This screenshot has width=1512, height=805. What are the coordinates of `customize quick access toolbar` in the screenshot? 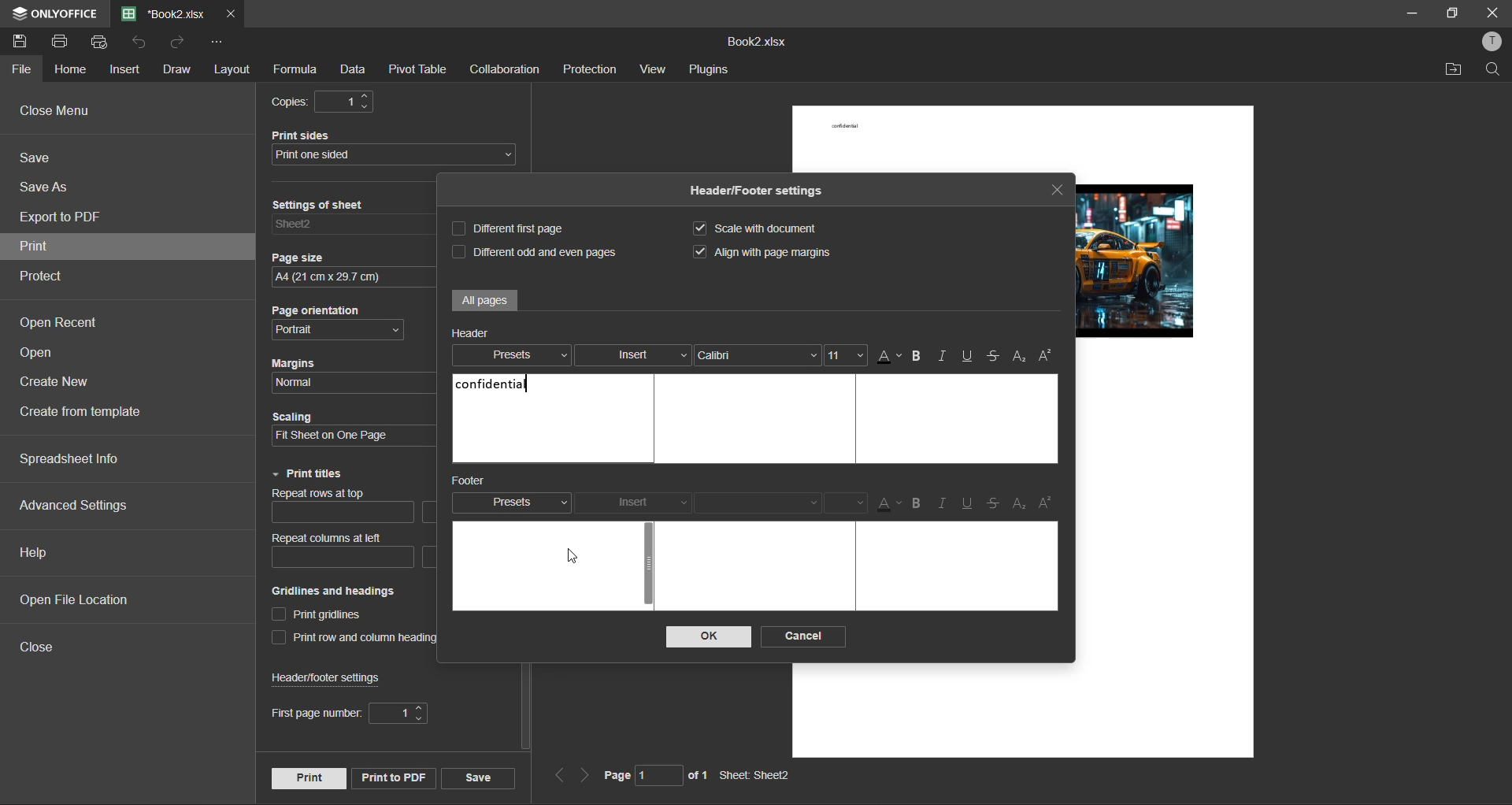 It's located at (216, 42).